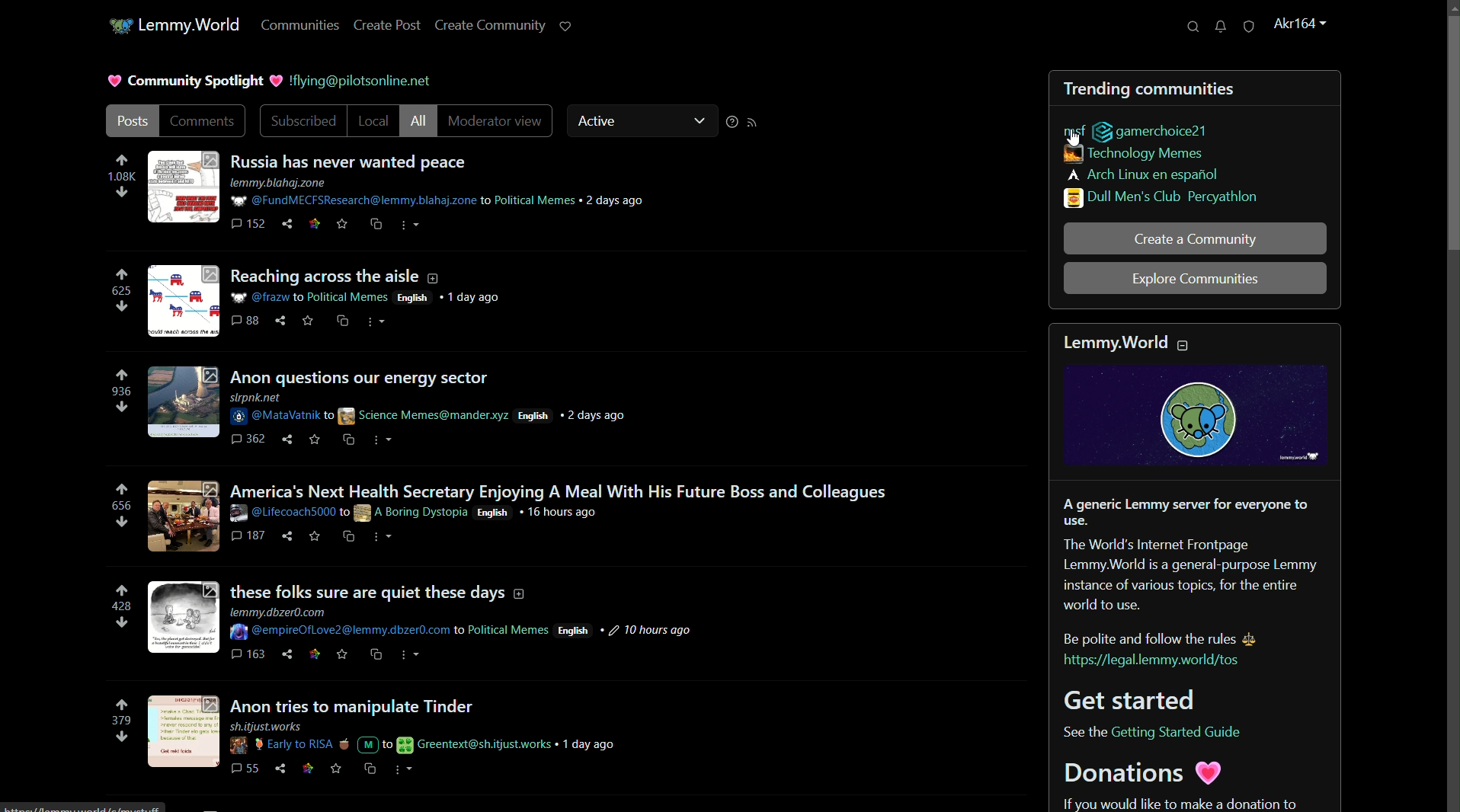  I want to click on unread reports, so click(1250, 27).